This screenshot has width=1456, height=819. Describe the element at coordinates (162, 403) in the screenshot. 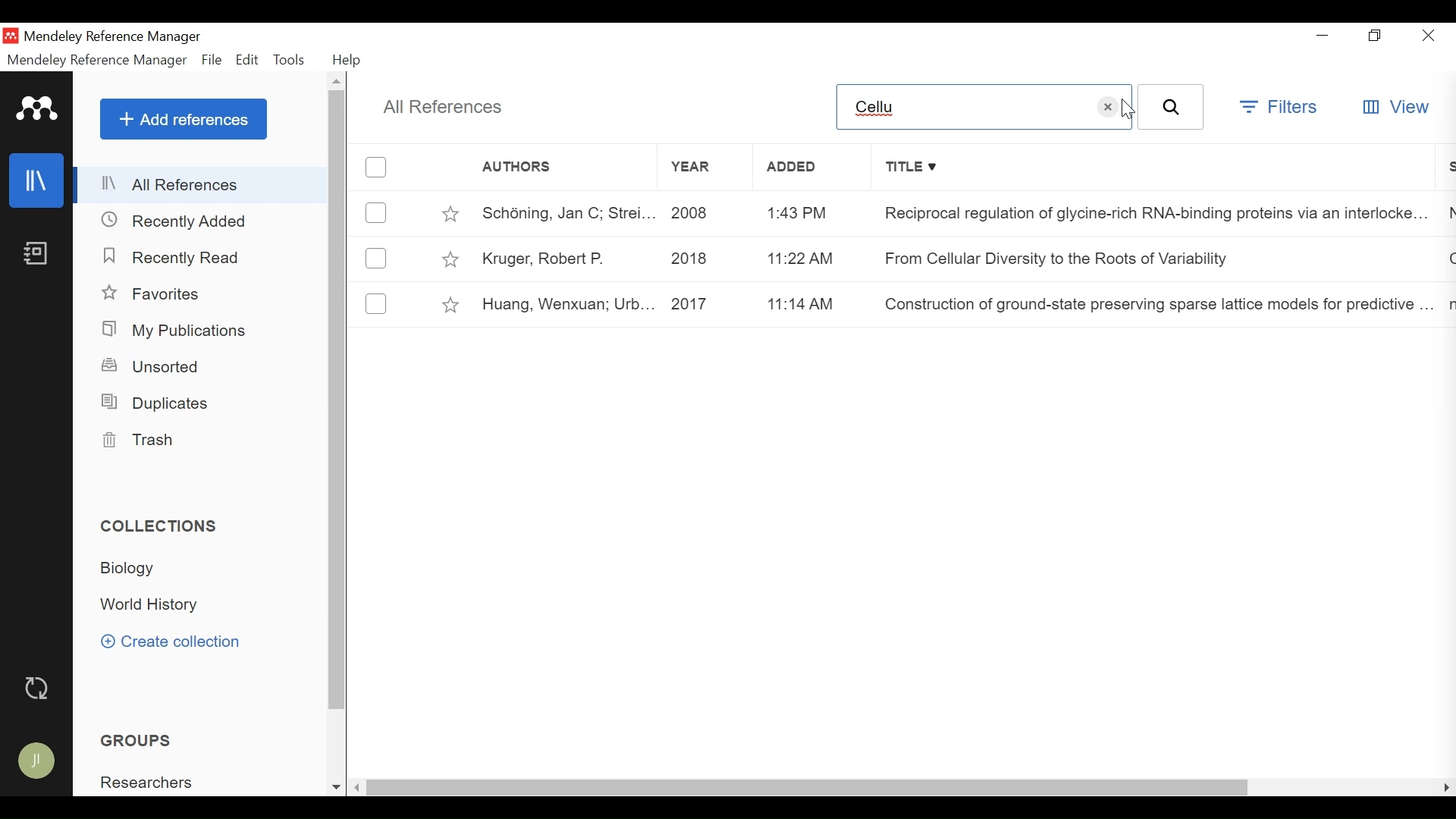

I see `Duplicates` at that location.